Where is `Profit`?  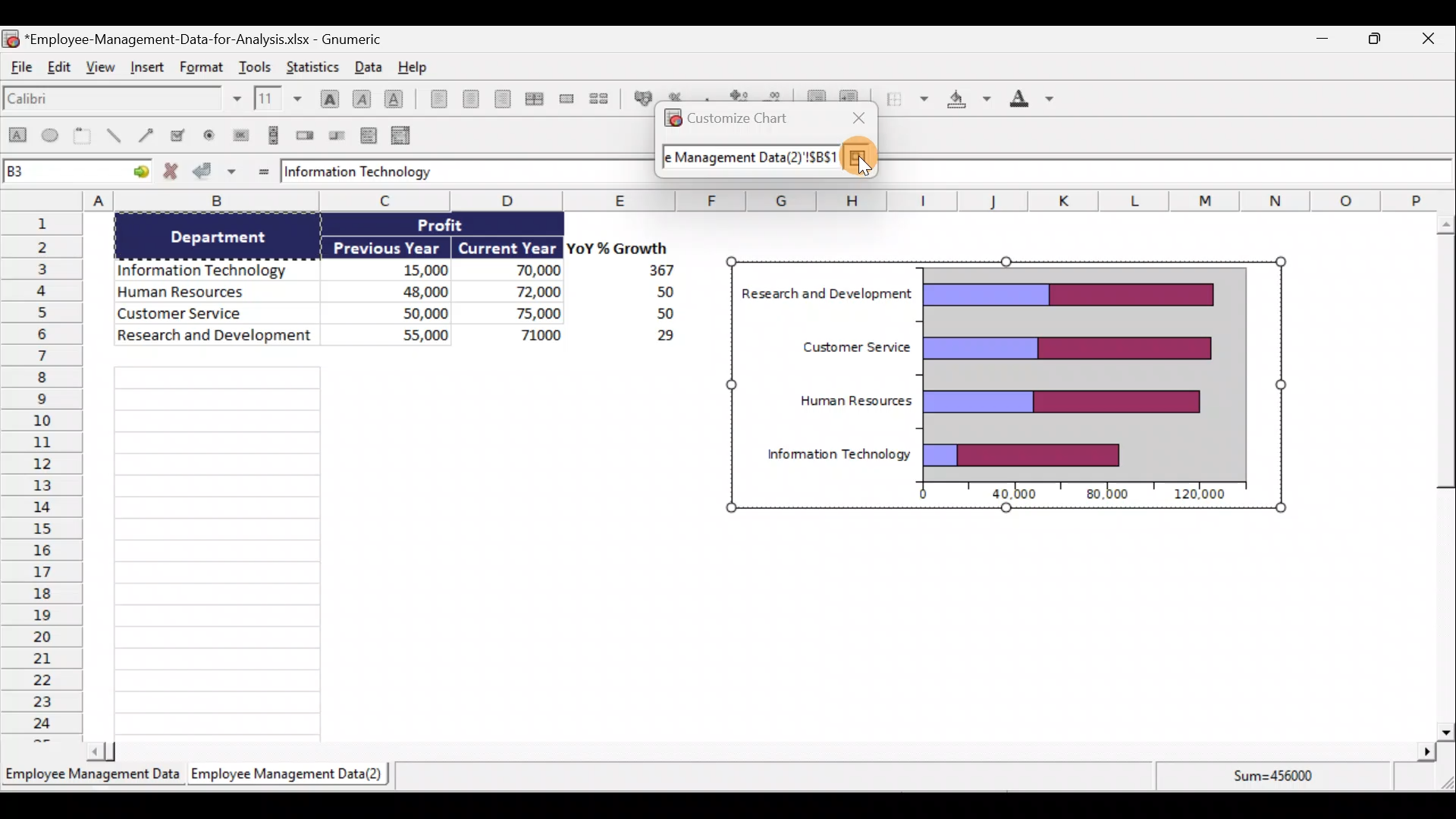 Profit is located at coordinates (453, 227).